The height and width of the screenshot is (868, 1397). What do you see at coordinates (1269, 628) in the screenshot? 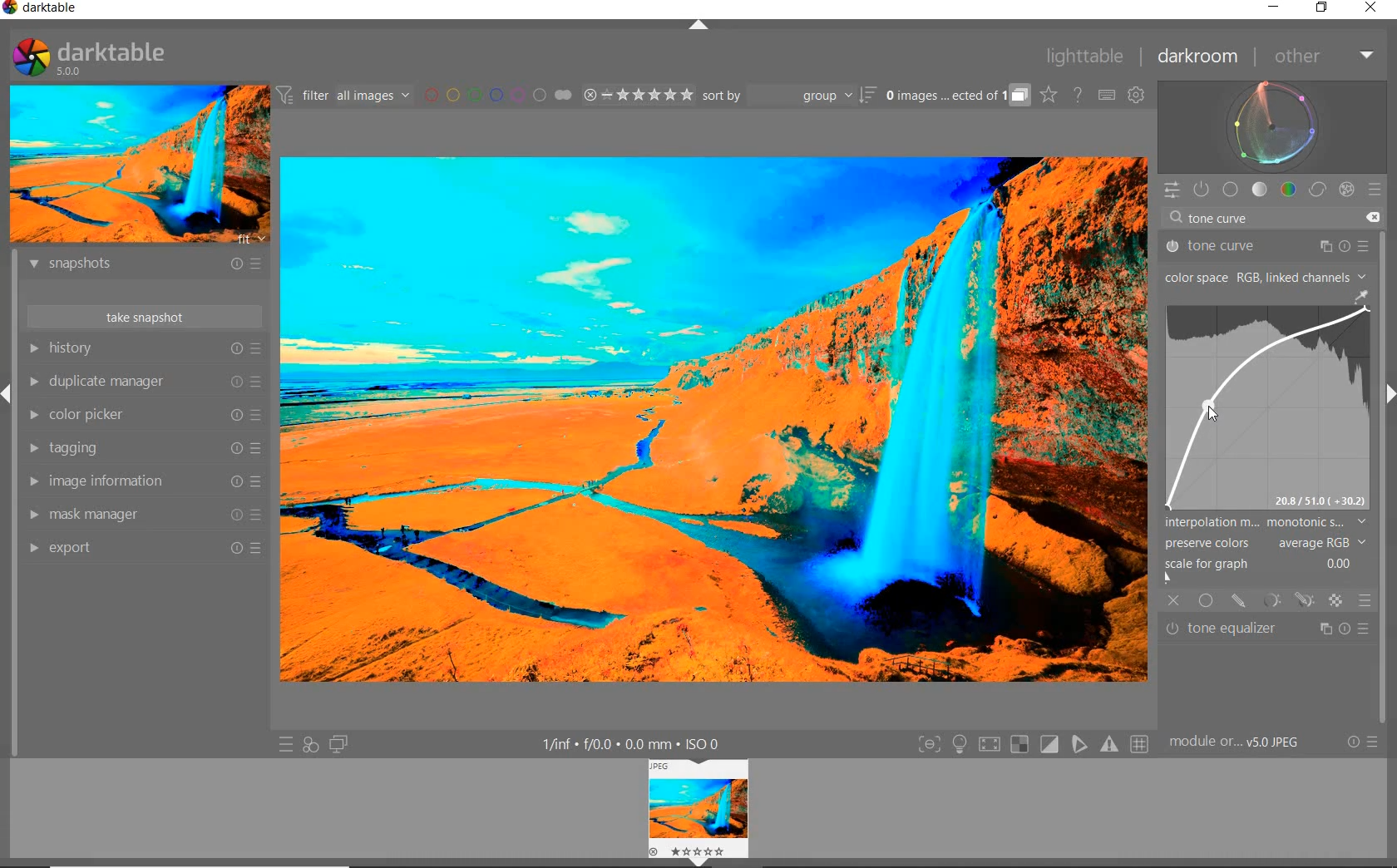
I see `tone equalizer` at bounding box center [1269, 628].